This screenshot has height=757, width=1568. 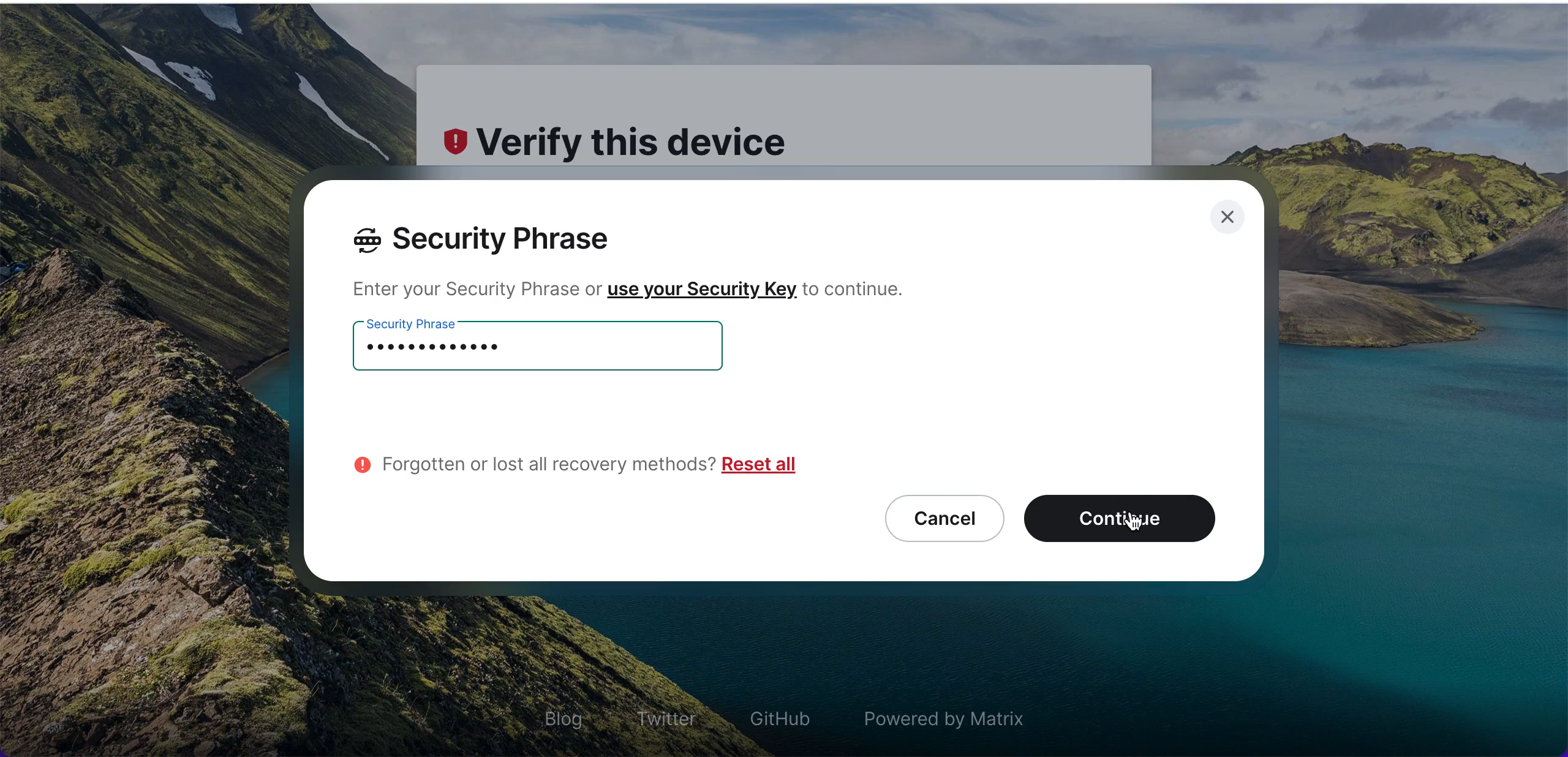 What do you see at coordinates (851, 292) in the screenshot?
I see `to continue` at bounding box center [851, 292].